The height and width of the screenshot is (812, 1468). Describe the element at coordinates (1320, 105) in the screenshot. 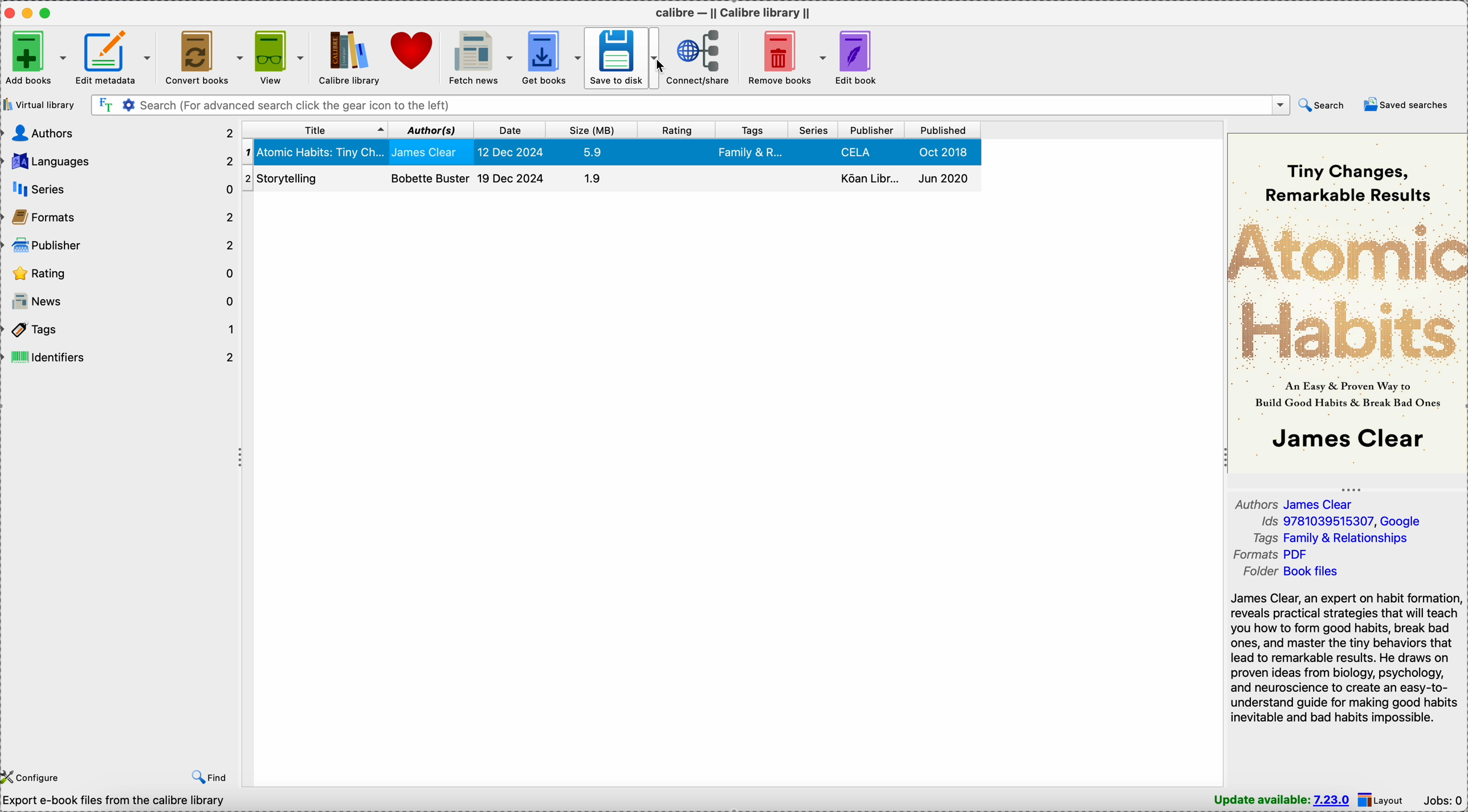

I see `search` at that location.